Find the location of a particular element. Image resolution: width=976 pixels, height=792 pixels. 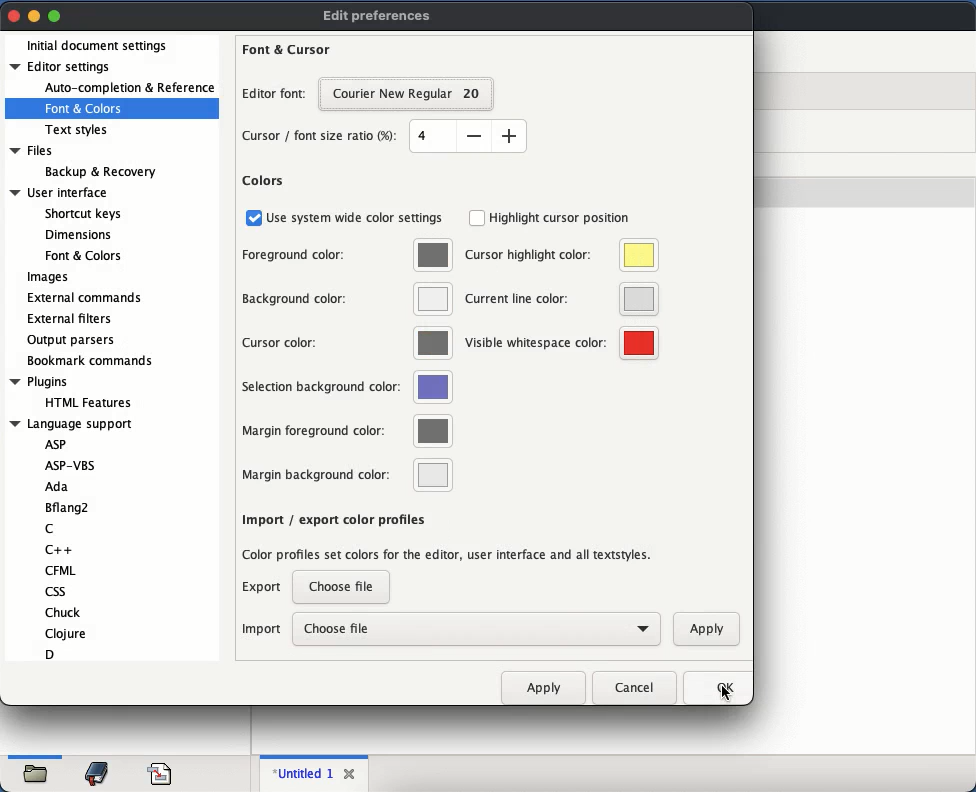

selection background color is located at coordinates (326, 387).